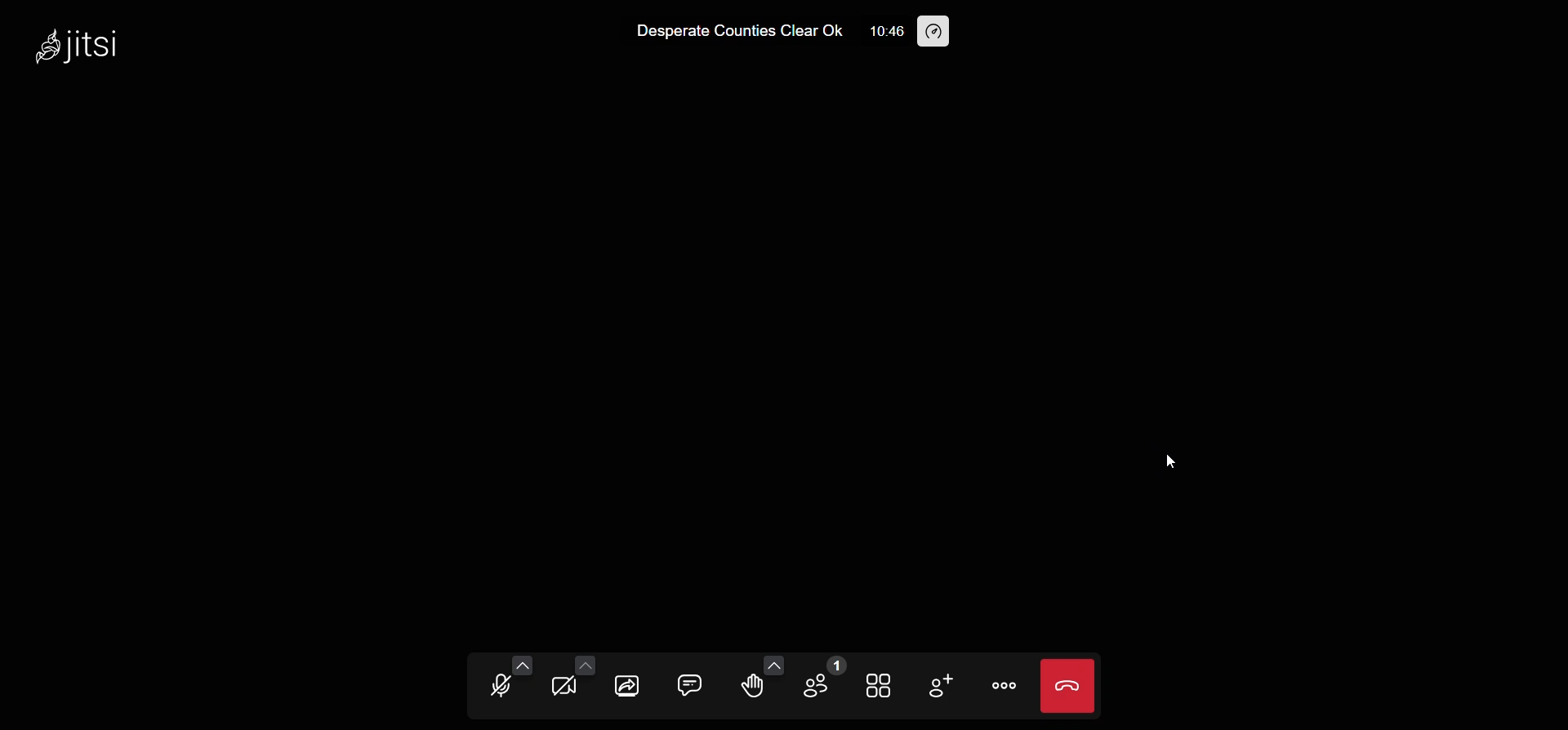 Image resolution: width=1568 pixels, height=730 pixels. Describe the element at coordinates (732, 31) in the screenshot. I see `Desperate Counties Clear Ok` at that location.